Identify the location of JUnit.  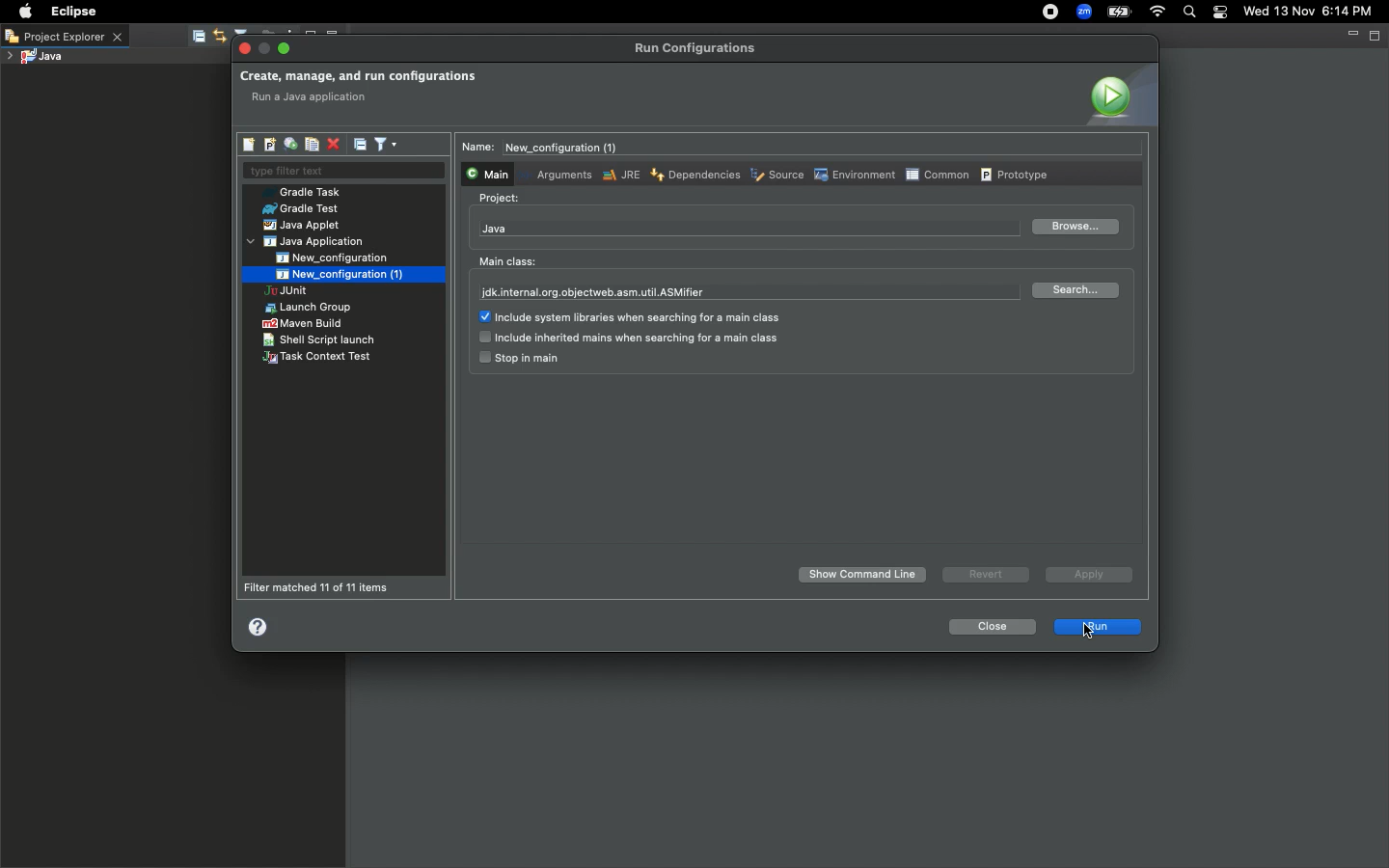
(302, 292).